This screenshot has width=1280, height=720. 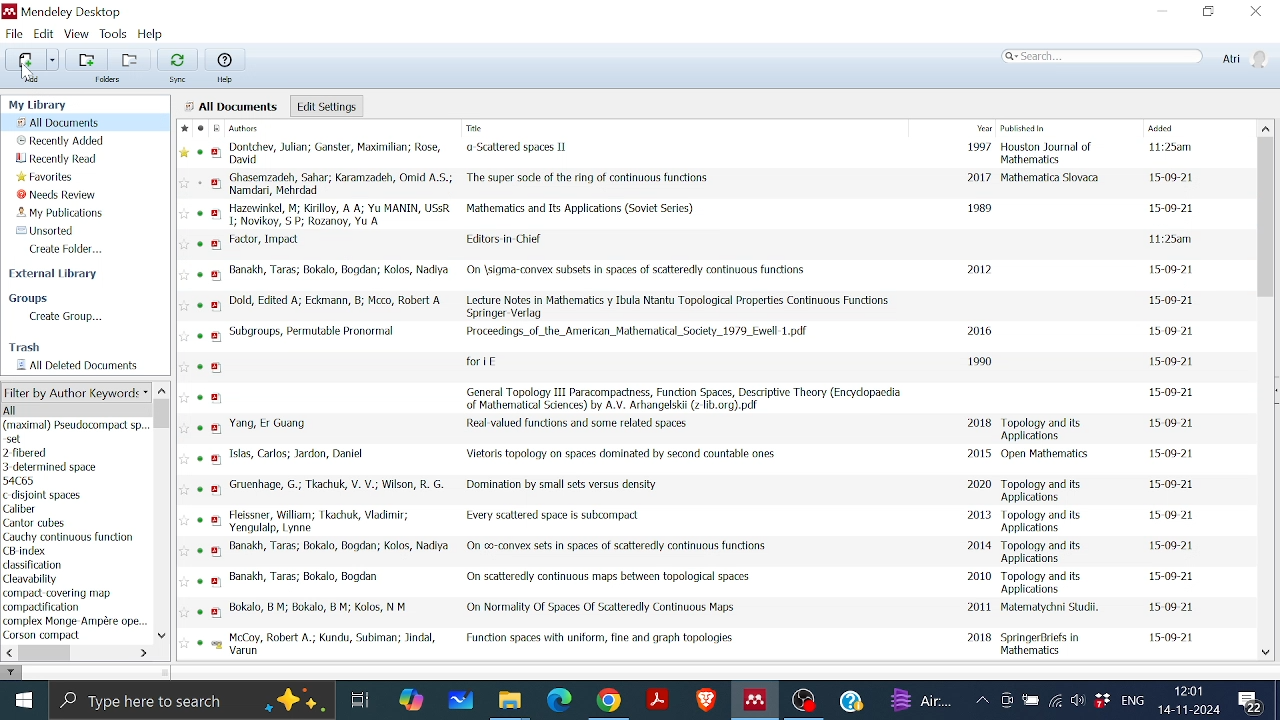 What do you see at coordinates (43, 298) in the screenshot?
I see `Groups` at bounding box center [43, 298].